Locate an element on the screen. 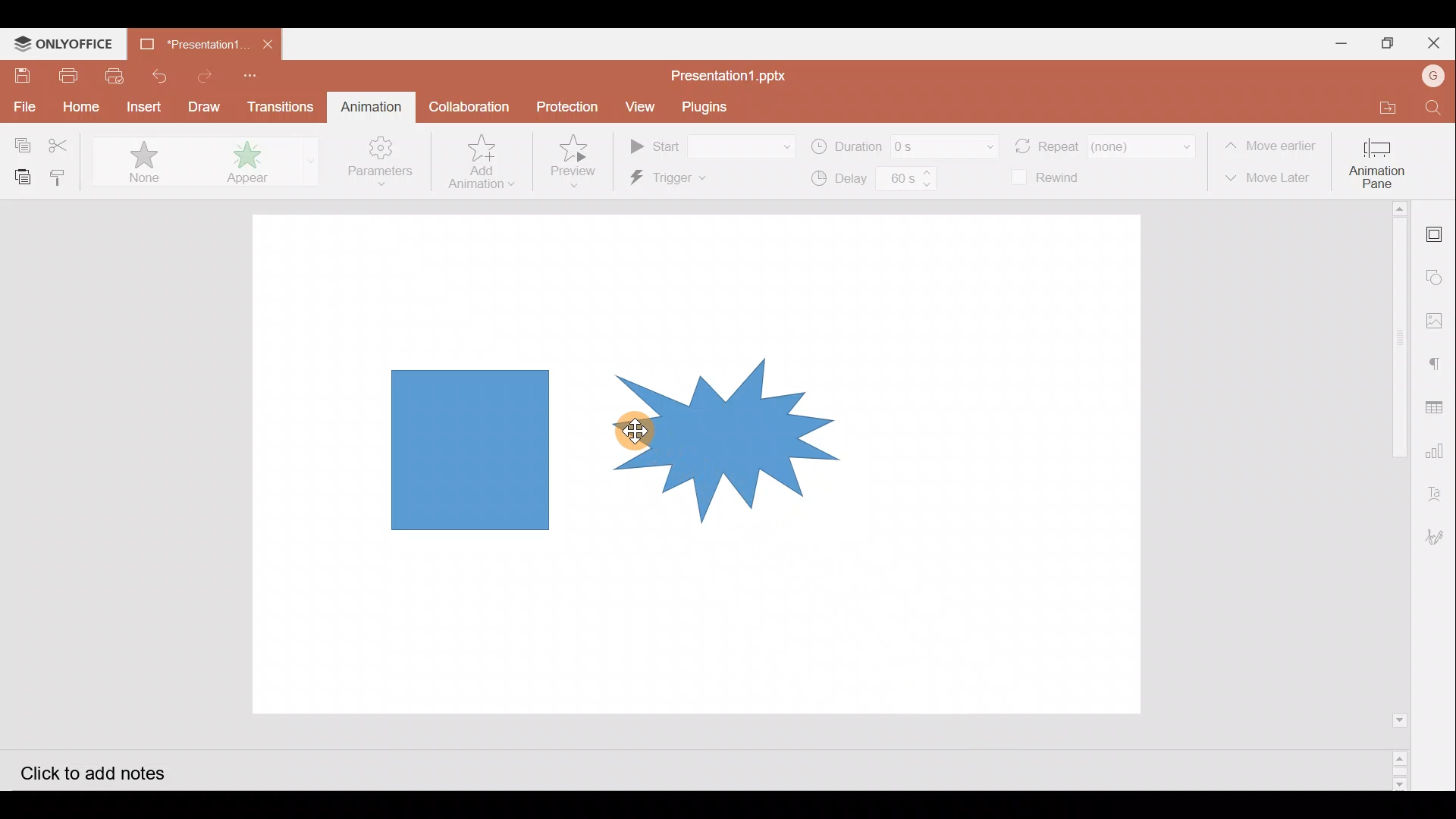  Undo is located at coordinates (158, 74).